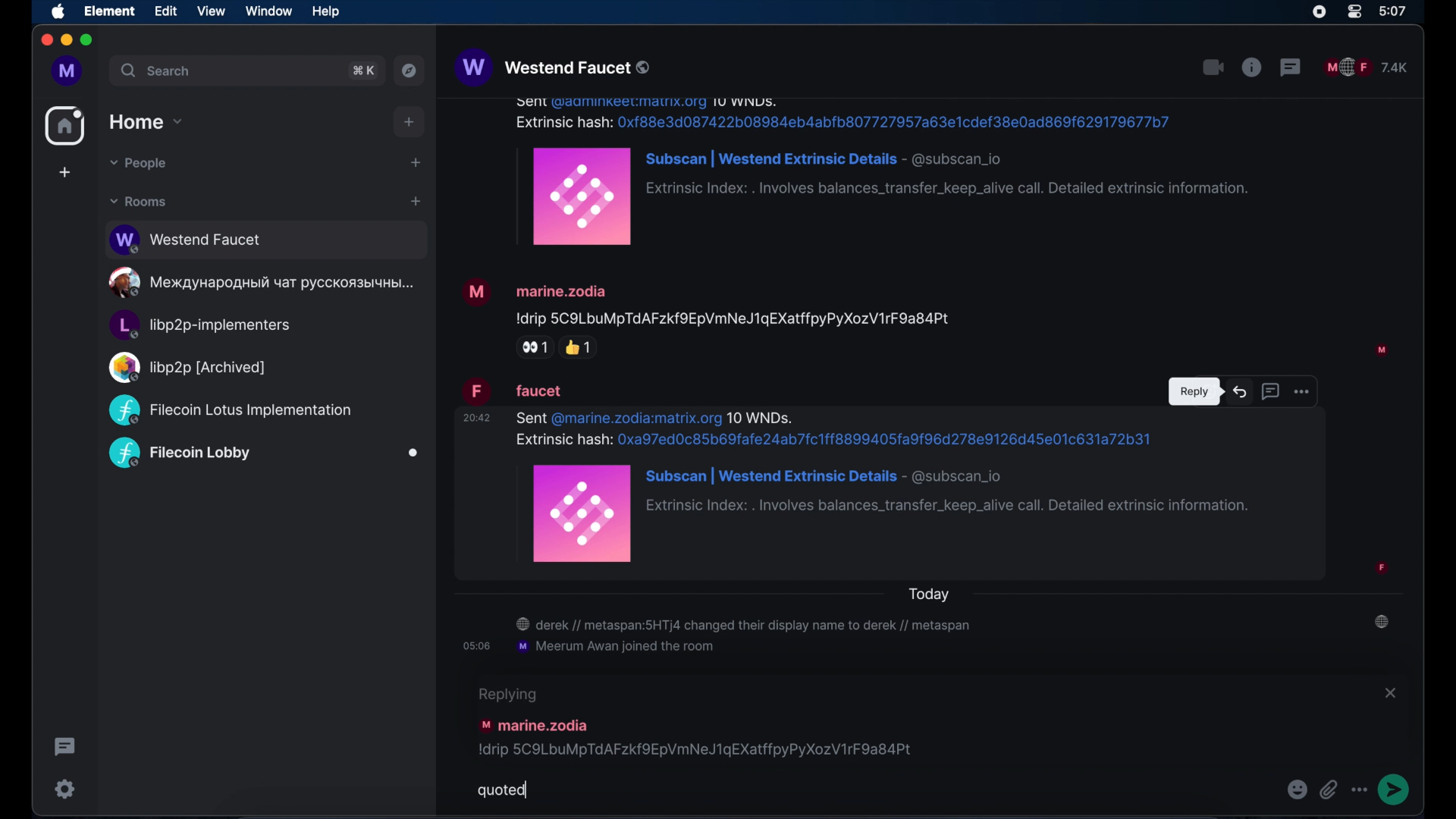  What do you see at coordinates (553, 69) in the screenshot?
I see `westend faucet public room name` at bounding box center [553, 69].